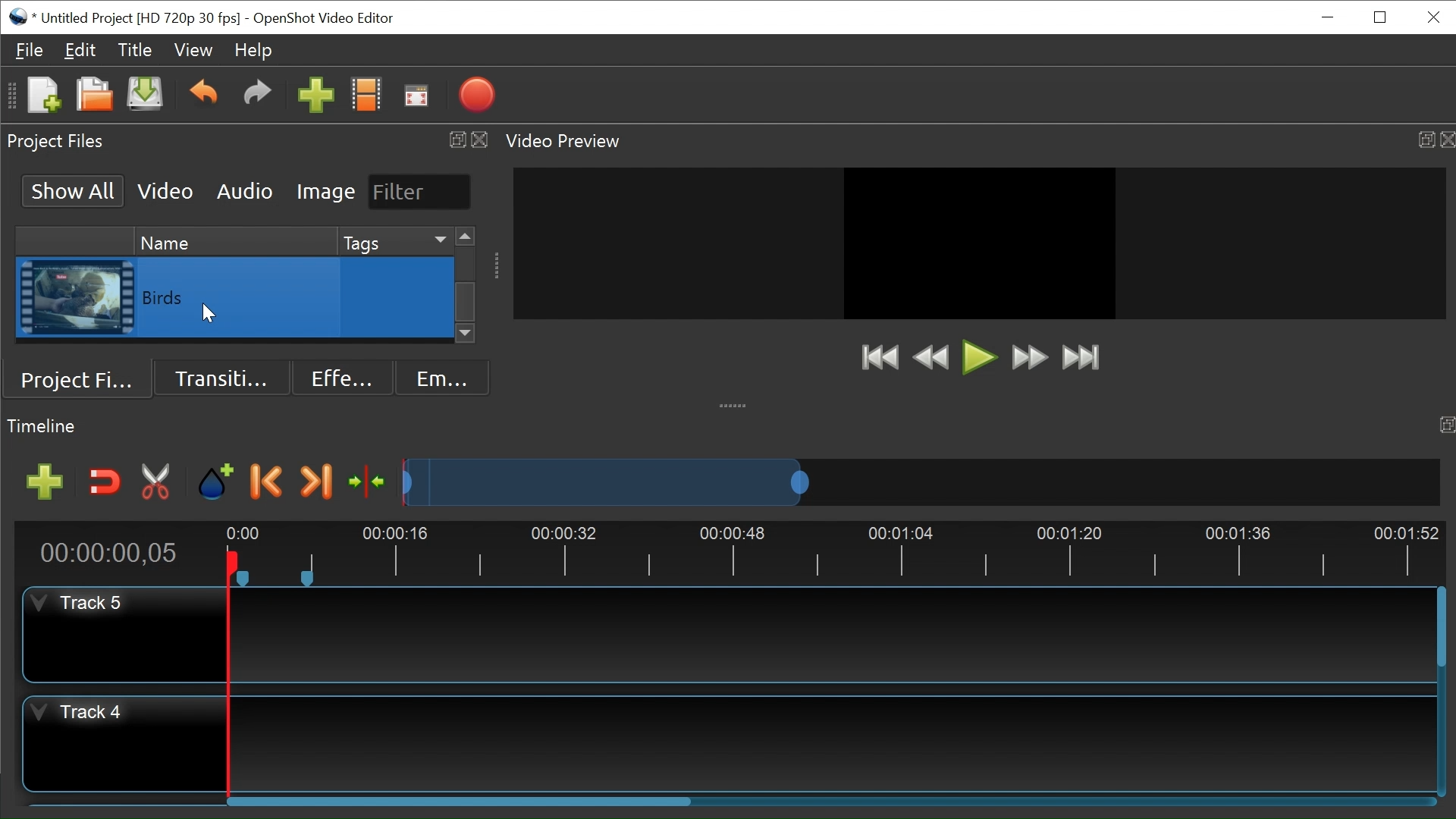 Image resolution: width=1456 pixels, height=819 pixels. I want to click on Transition, so click(224, 376).